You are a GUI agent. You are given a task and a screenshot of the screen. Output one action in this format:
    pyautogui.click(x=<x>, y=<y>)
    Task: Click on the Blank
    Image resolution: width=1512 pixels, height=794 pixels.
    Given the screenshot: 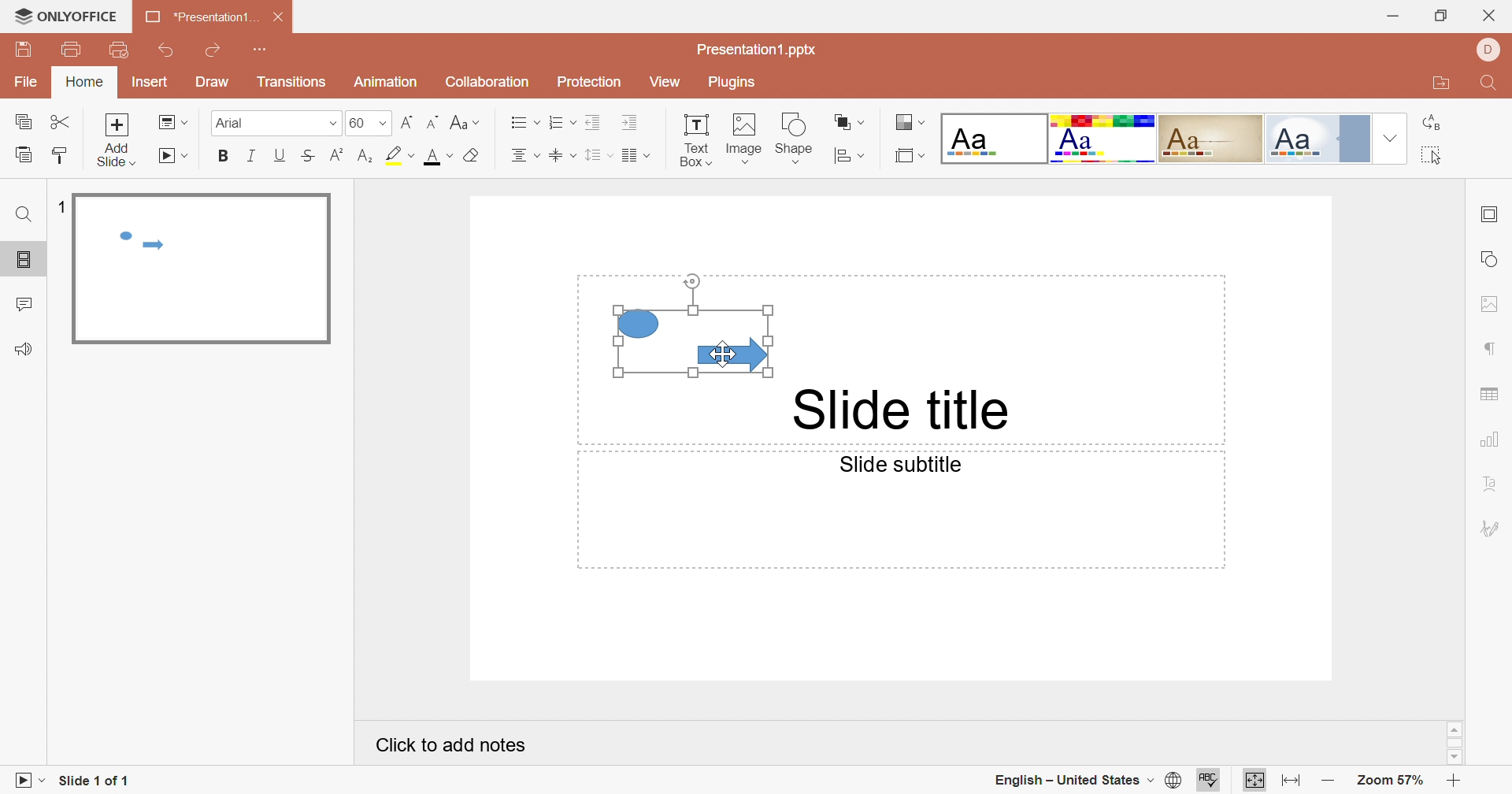 What is the action you would take?
    pyautogui.click(x=995, y=139)
    